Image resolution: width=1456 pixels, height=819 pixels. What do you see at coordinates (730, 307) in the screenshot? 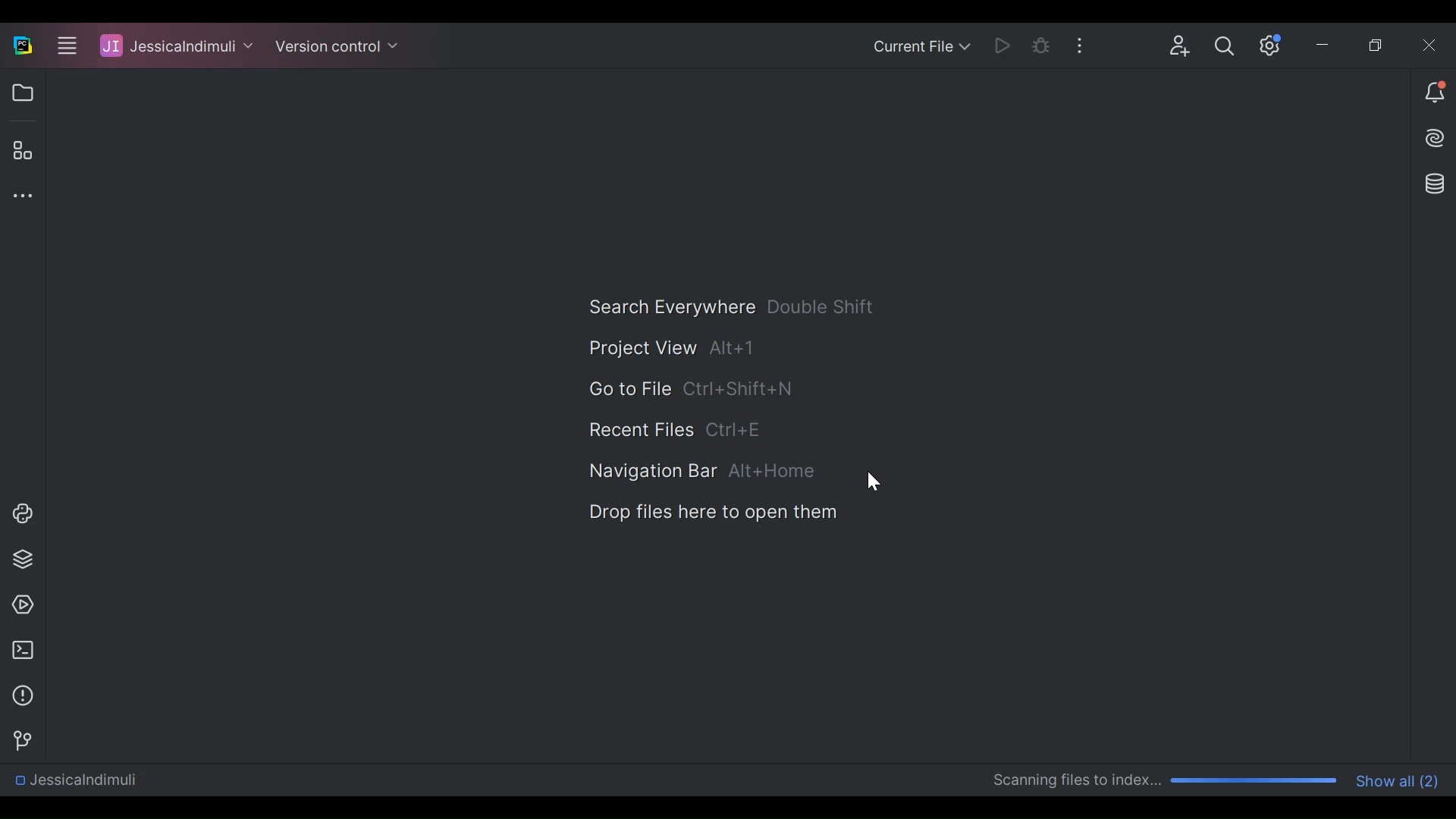
I see `Search Everywhere` at bounding box center [730, 307].